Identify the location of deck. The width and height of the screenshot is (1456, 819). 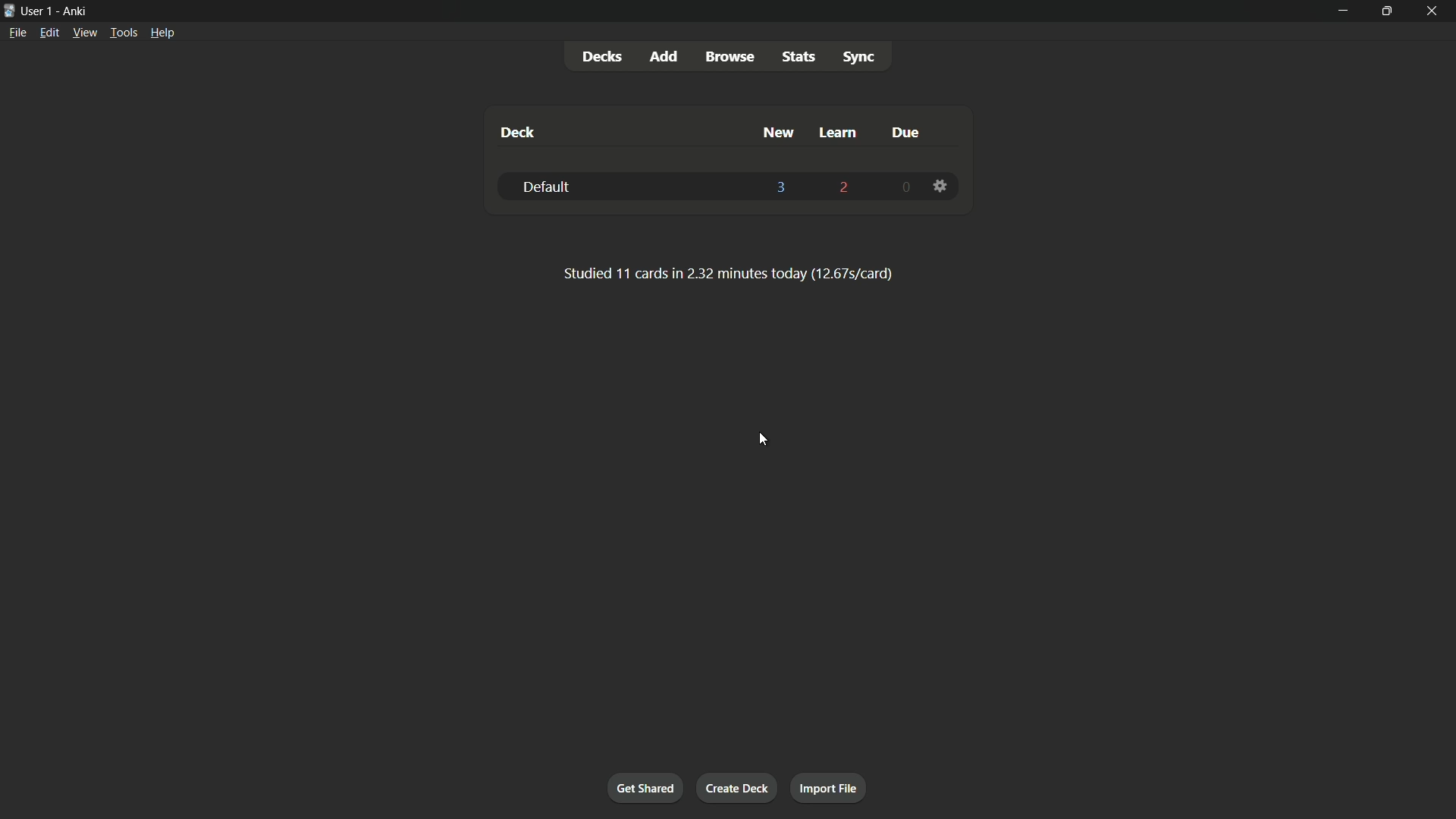
(518, 134).